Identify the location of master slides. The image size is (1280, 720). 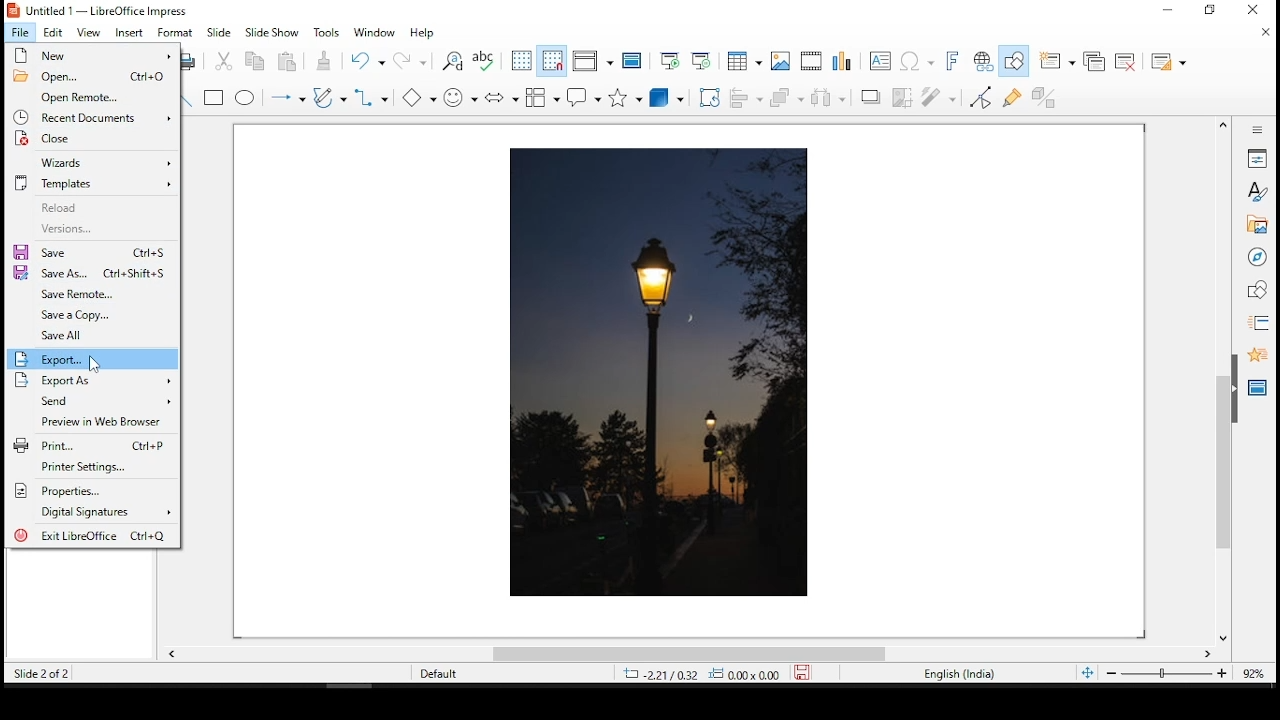
(1259, 387).